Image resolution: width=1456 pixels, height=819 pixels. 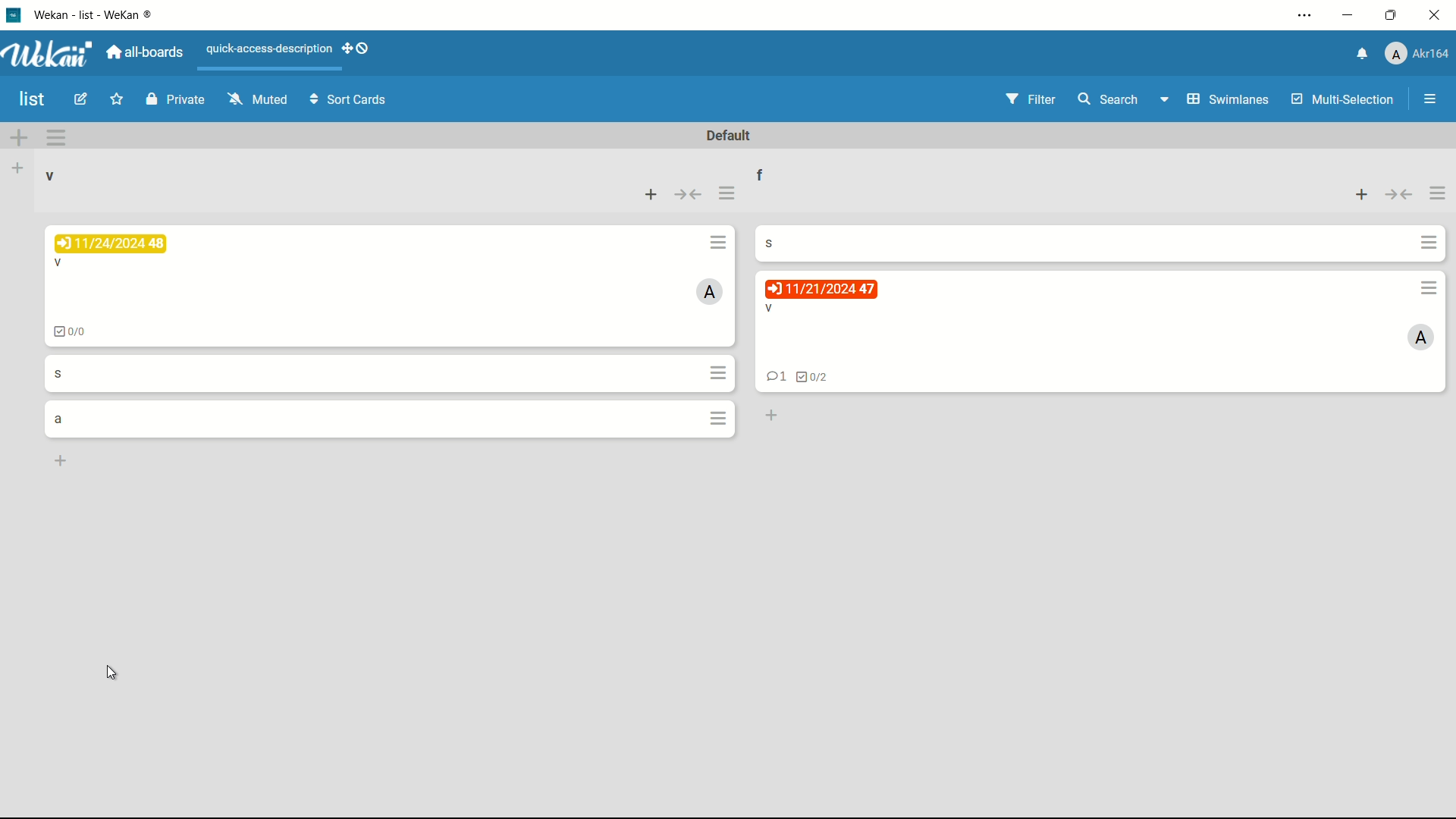 I want to click on wekan - list - wekan, so click(x=99, y=13).